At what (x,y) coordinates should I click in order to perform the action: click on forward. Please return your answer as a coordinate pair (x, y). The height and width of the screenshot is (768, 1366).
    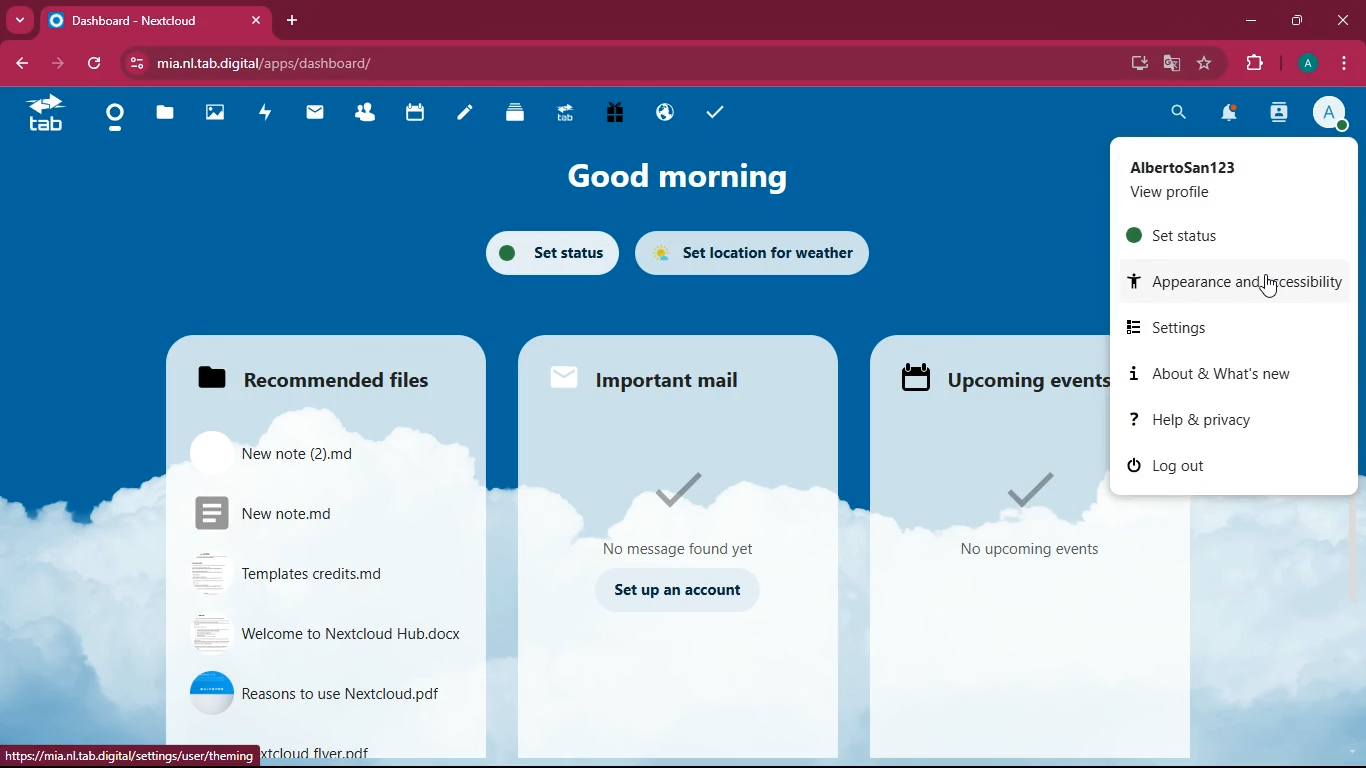
    Looking at the image, I should click on (60, 64).